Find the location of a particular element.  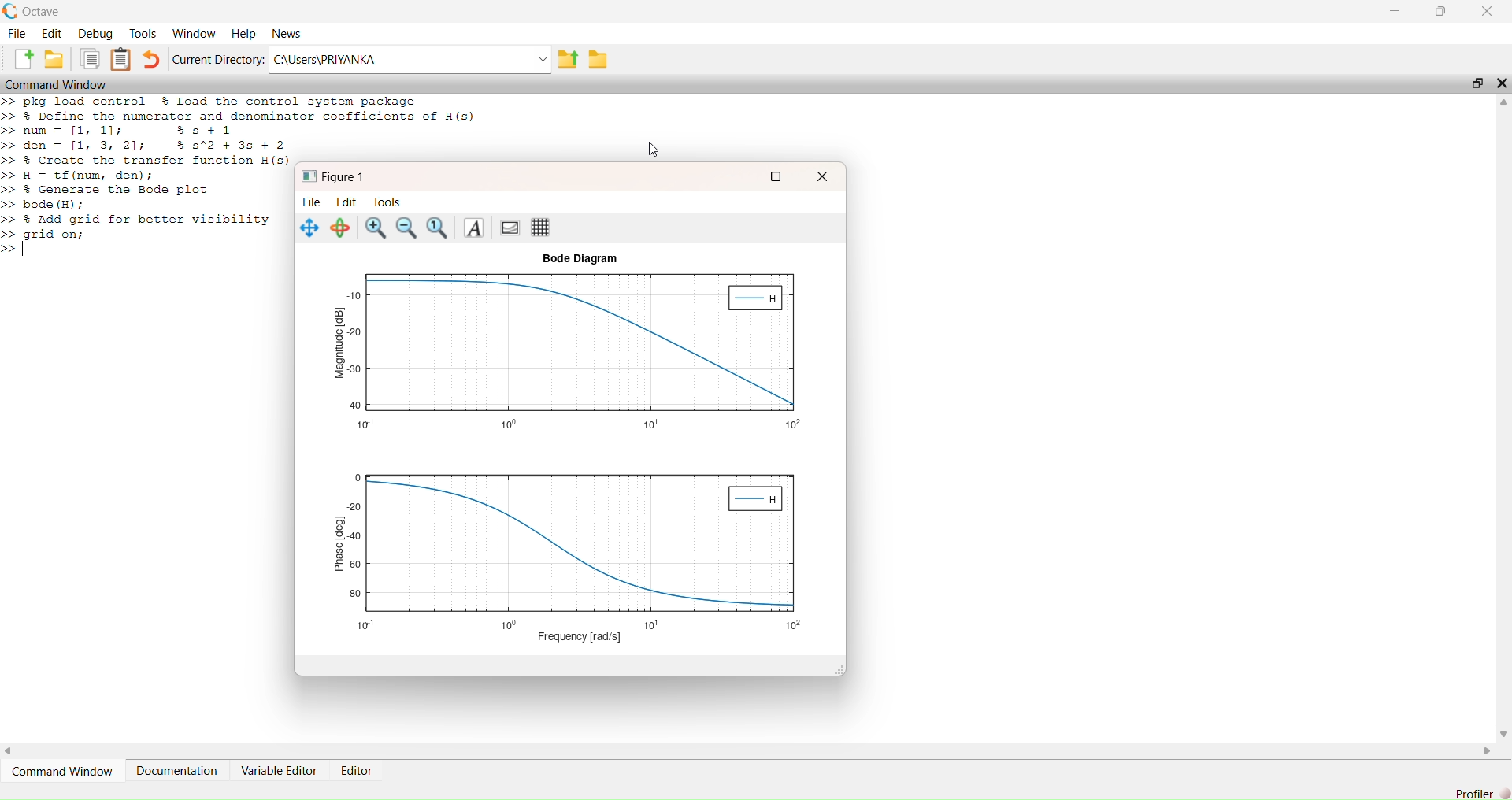

Undo is located at coordinates (151, 59).